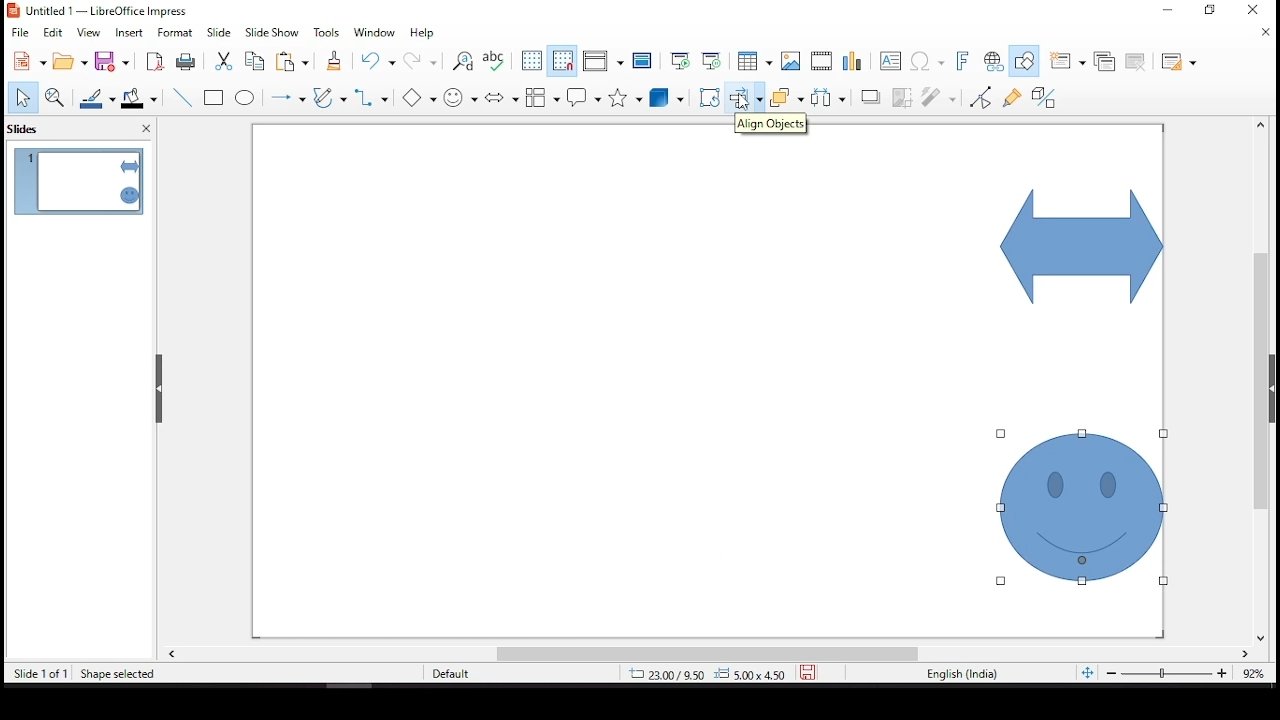 The height and width of the screenshot is (720, 1280). Describe the element at coordinates (20, 31) in the screenshot. I see `file` at that location.